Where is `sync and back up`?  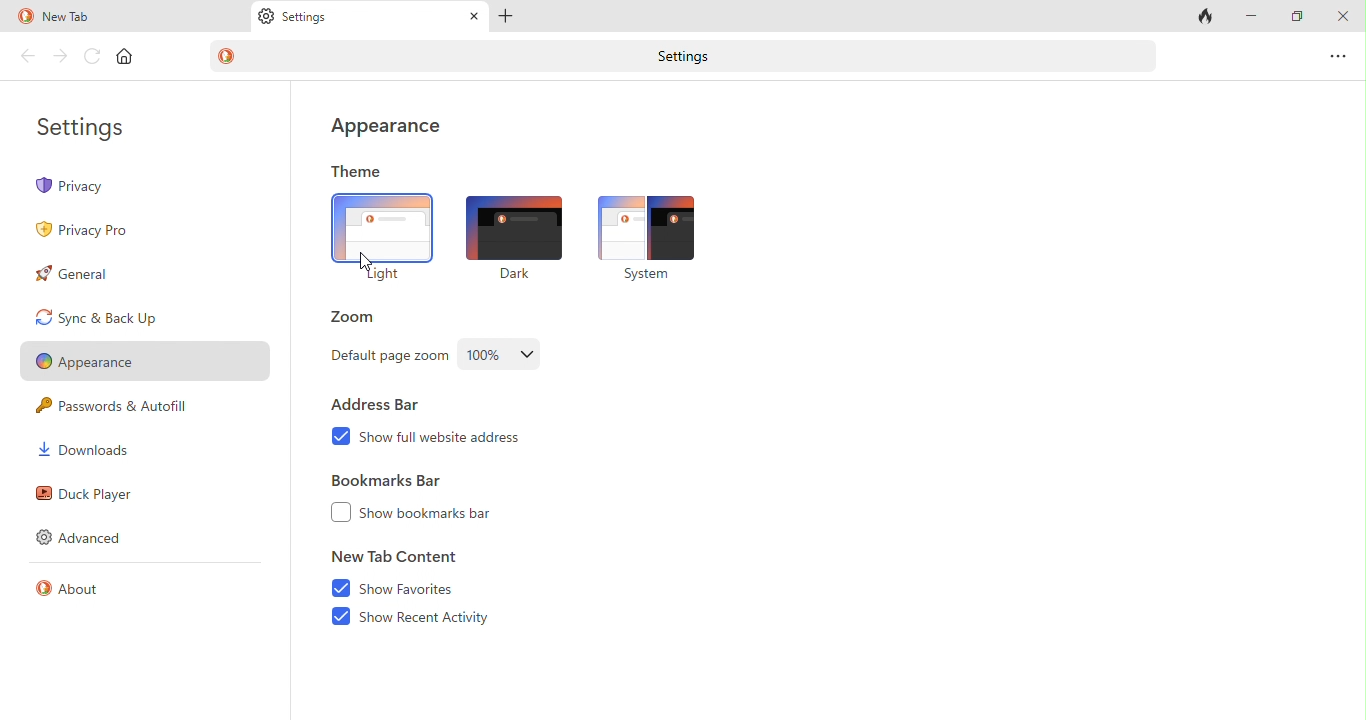 sync and back up is located at coordinates (153, 318).